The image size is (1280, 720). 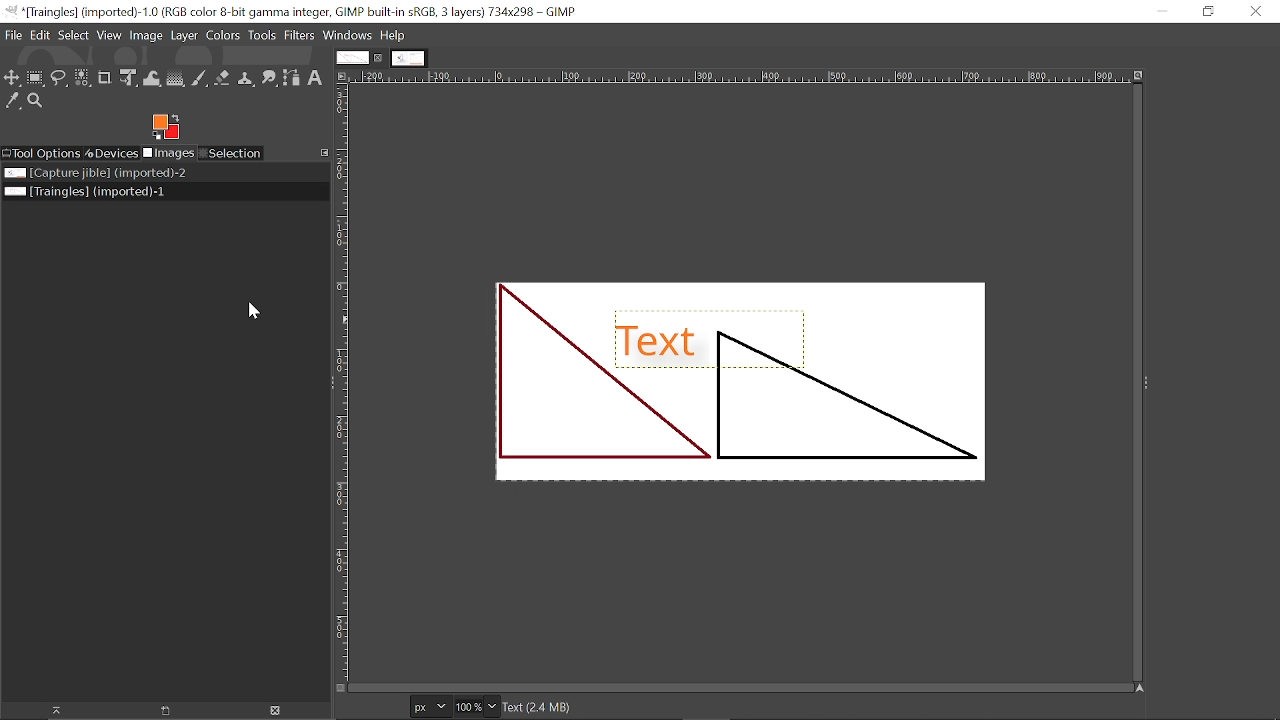 I want to click on File, so click(x=13, y=35).